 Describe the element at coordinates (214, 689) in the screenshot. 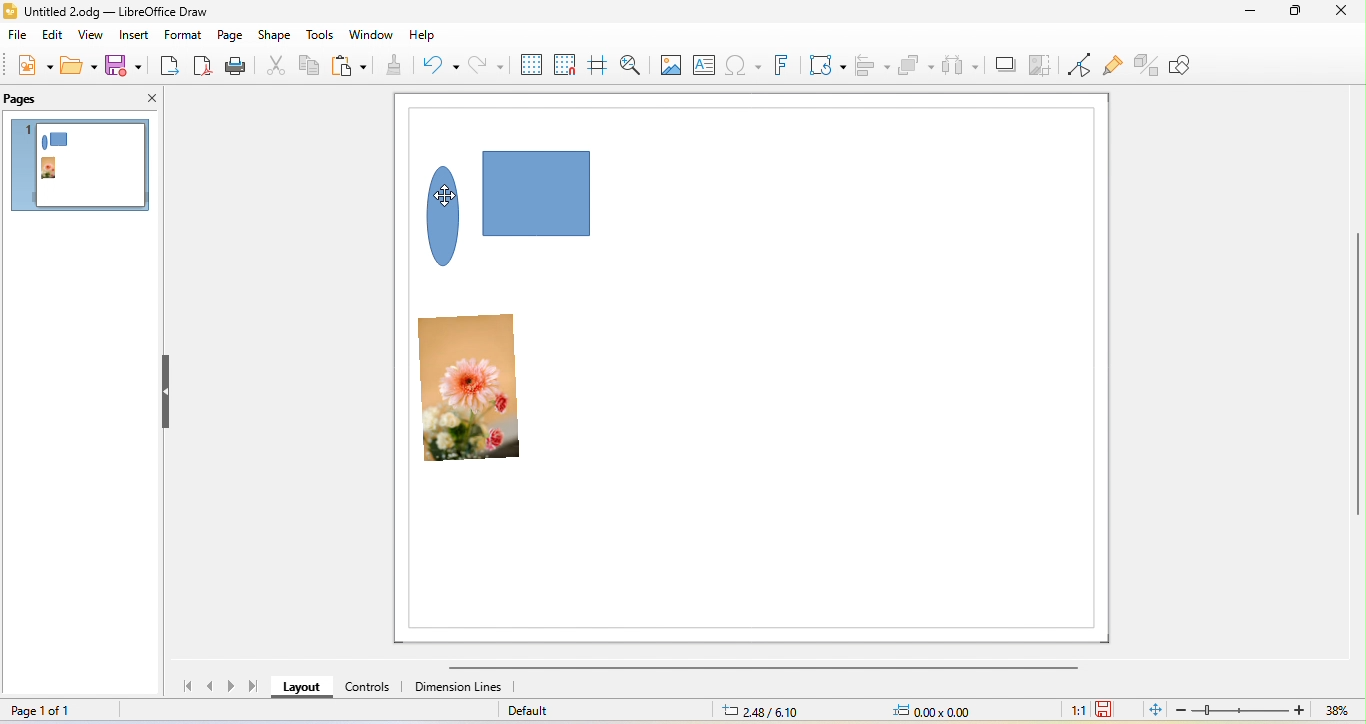

I see `previous page` at that location.